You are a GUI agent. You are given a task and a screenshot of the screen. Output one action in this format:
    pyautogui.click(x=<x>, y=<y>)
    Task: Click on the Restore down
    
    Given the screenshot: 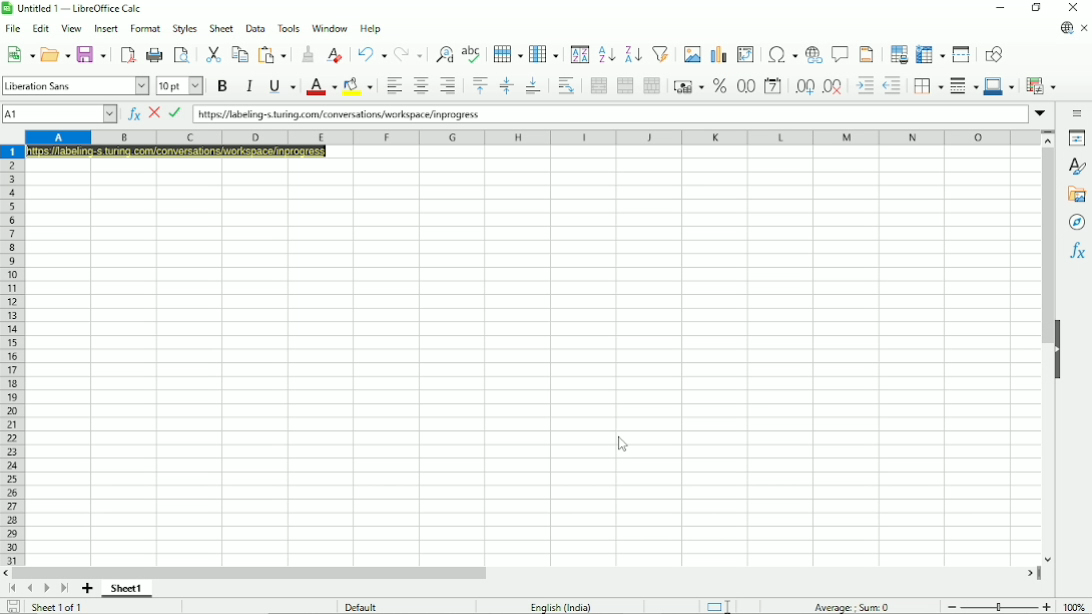 What is the action you would take?
    pyautogui.click(x=1038, y=8)
    